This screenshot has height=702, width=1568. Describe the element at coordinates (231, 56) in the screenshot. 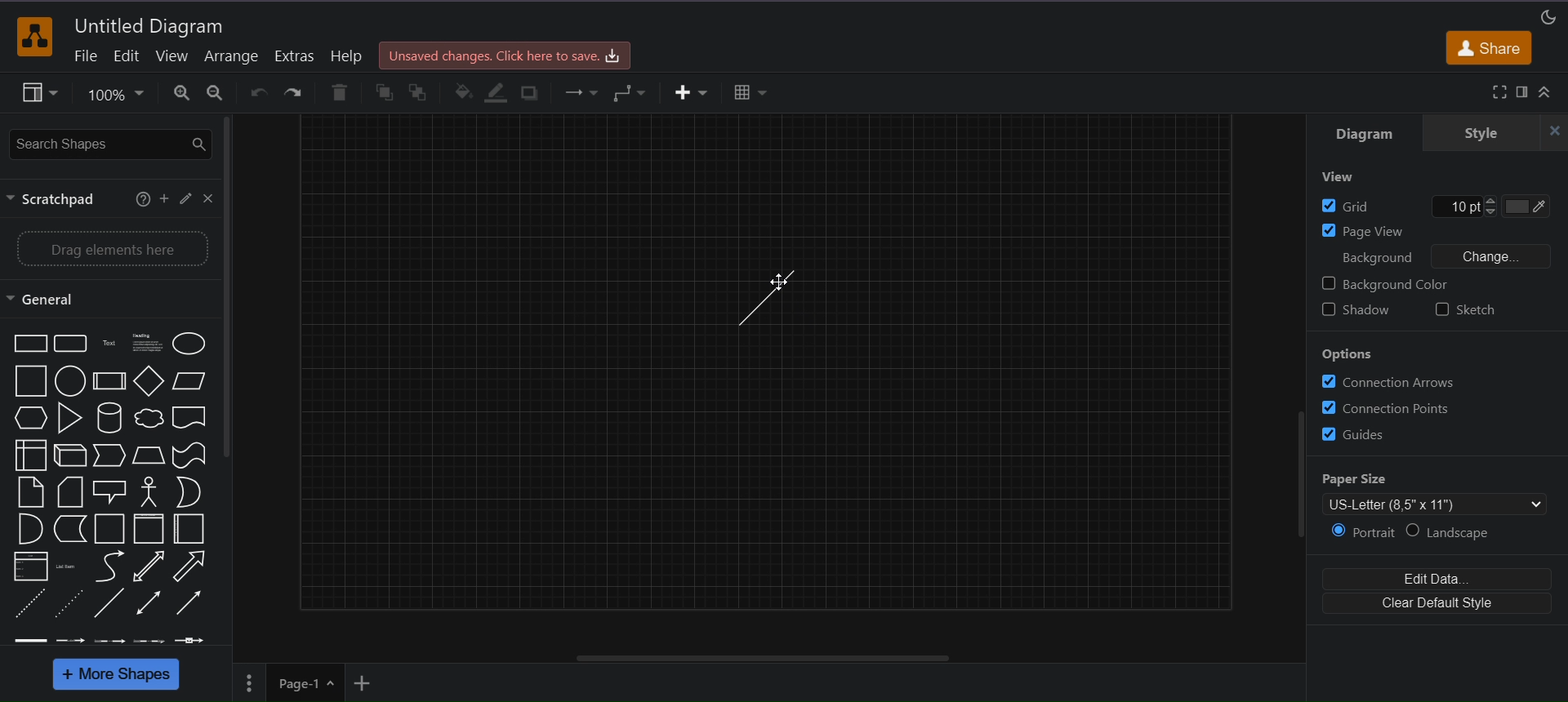

I see `arrange` at that location.